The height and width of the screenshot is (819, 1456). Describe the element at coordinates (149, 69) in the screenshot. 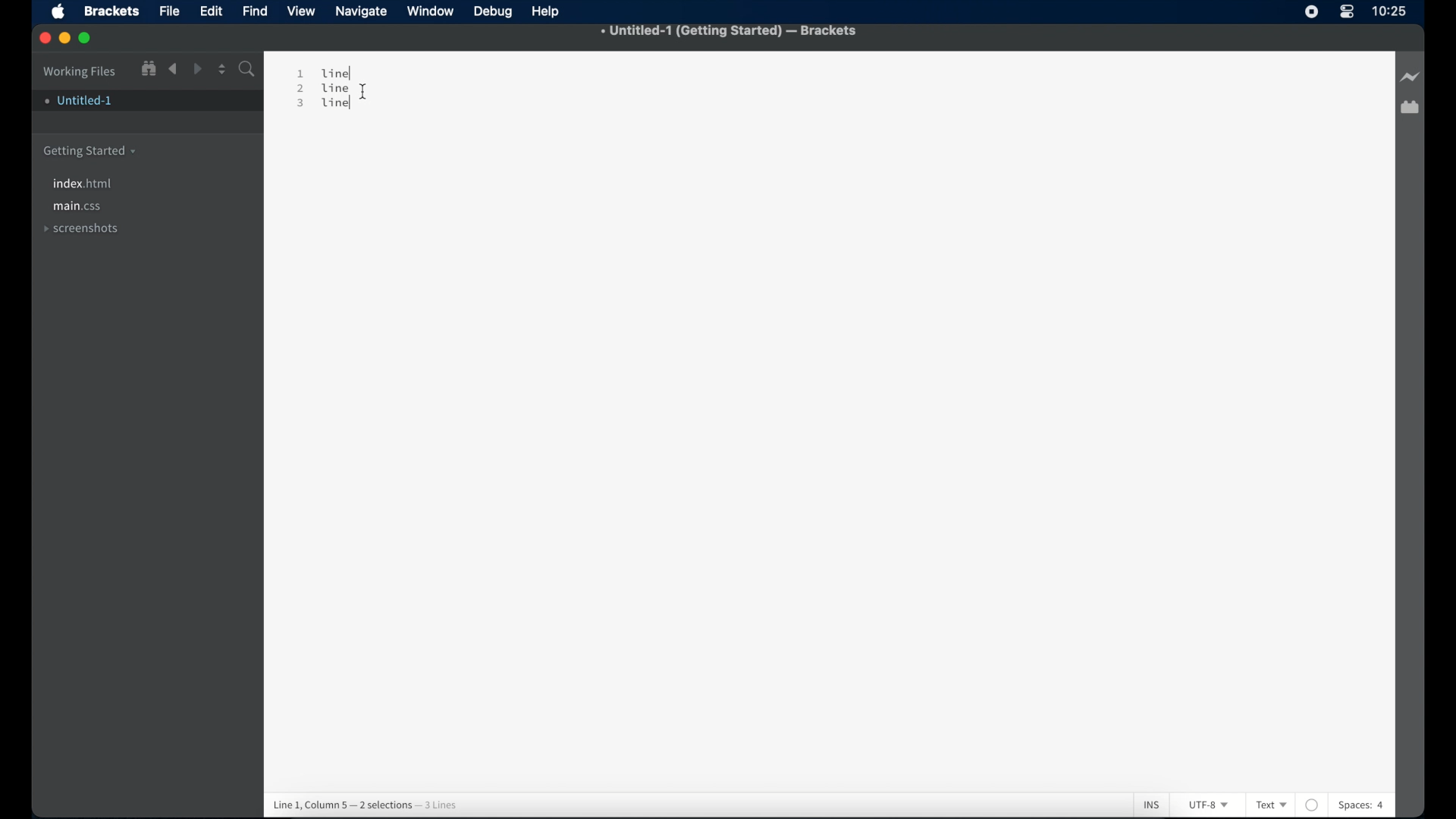

I see `show in file tree` at that location.